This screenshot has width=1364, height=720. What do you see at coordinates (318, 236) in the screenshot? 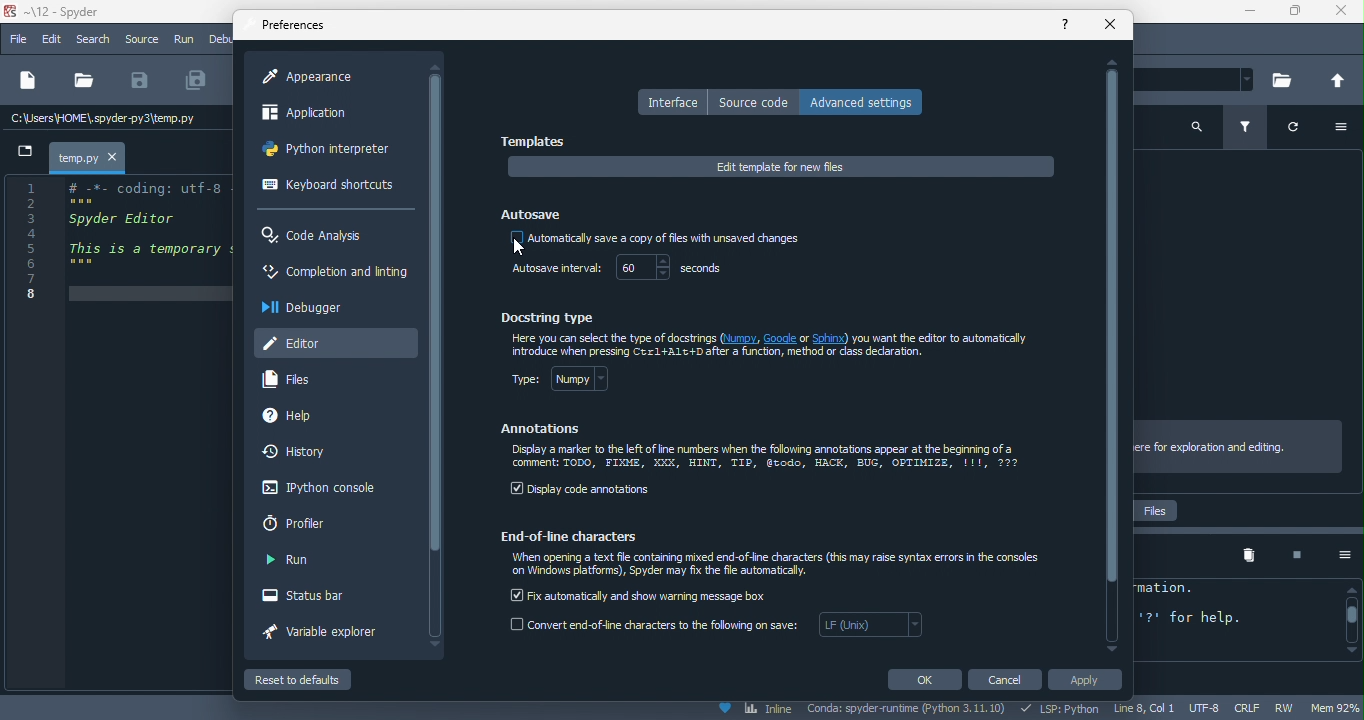
I see `code analysis` at bounding box center [318, 236].